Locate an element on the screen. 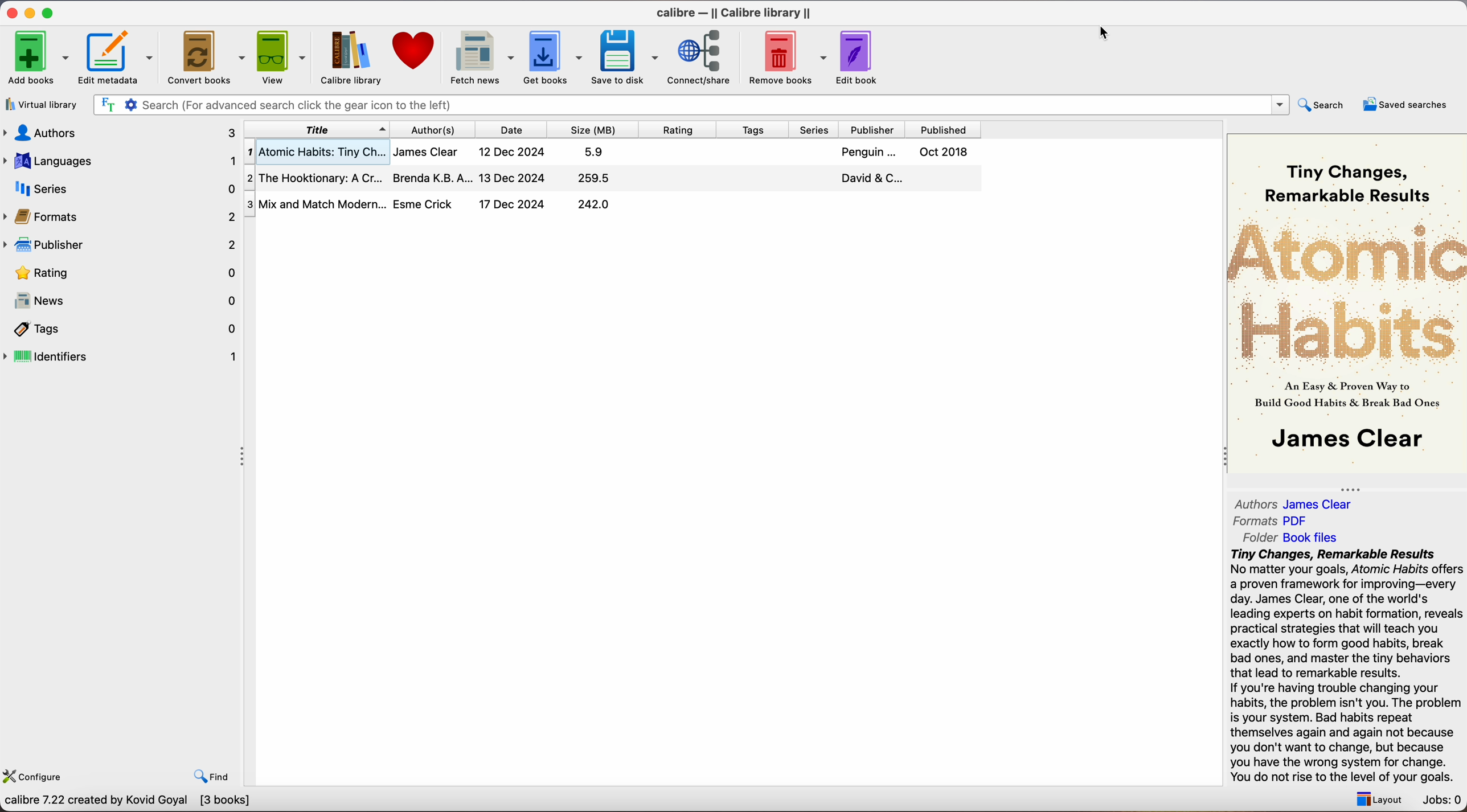 The width and height of the screenshot is (1467, 812). Formats PDF is located at coordinates (1272, 521).